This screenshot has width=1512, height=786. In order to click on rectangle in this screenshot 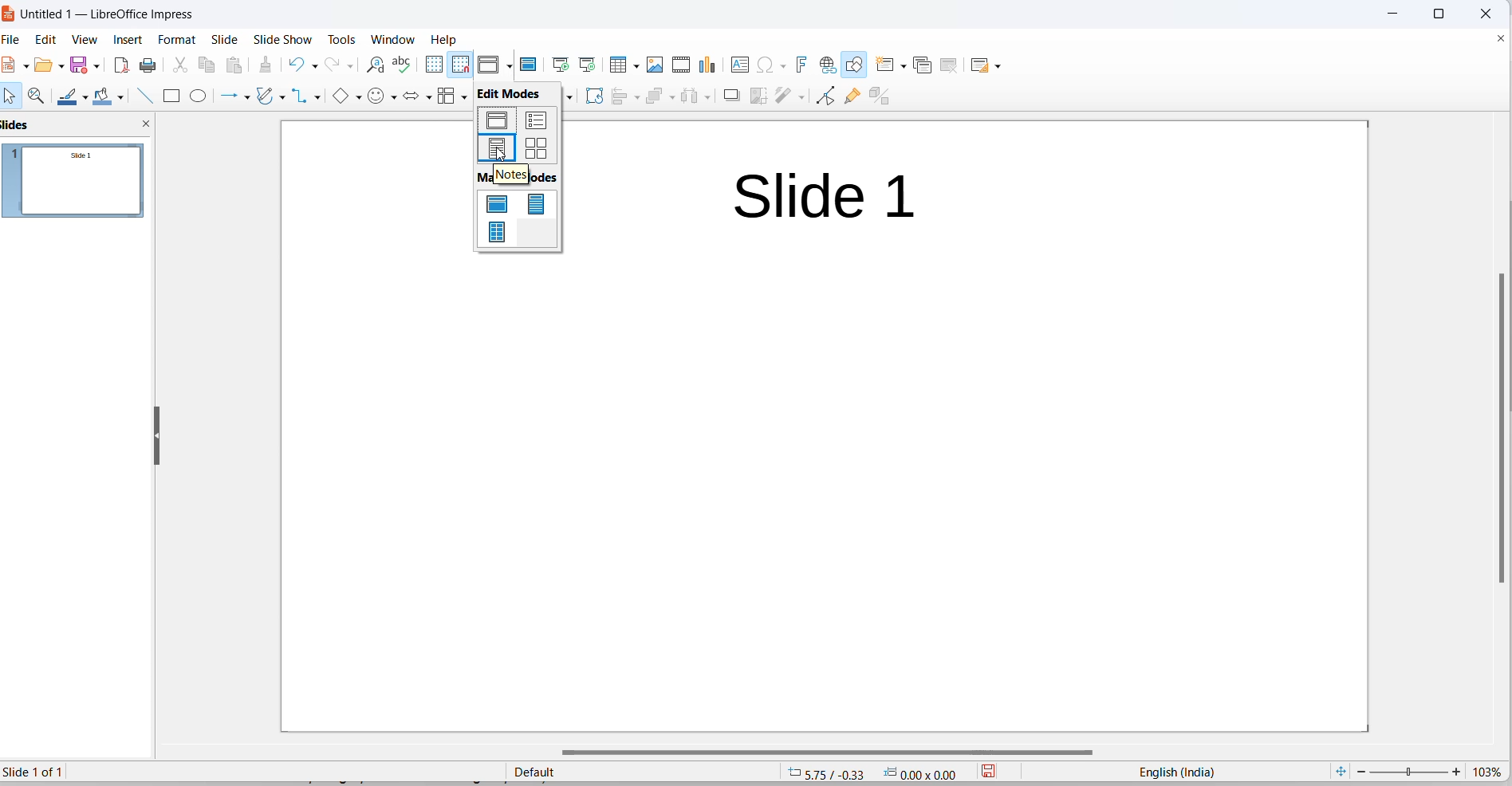, I will do `click(175, 96)`.